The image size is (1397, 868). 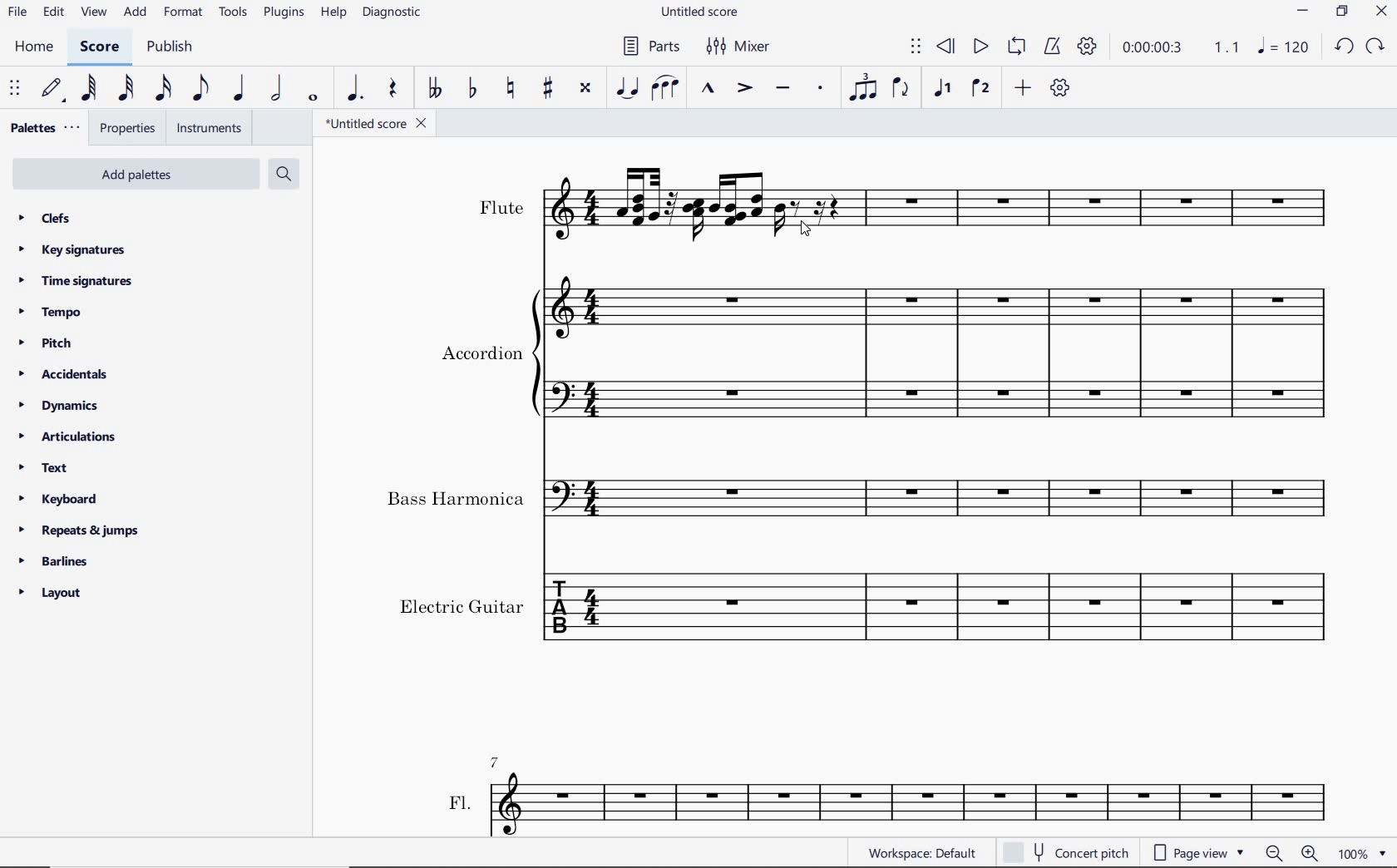 What do you see at coordinates (391, 88) in the screenshot?
I see `rest` at bounding box center [391, 88].